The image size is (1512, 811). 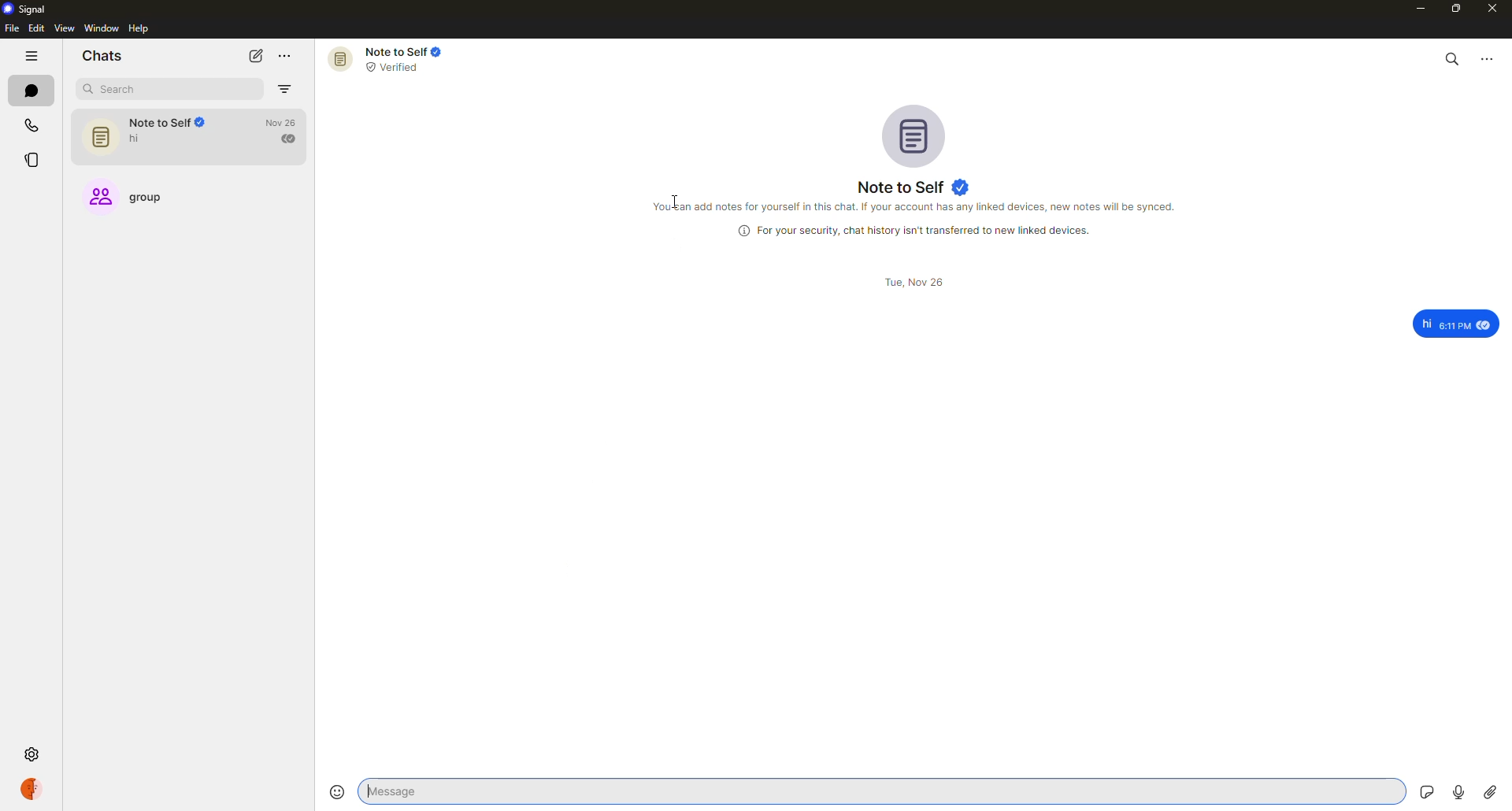 What do you see at coordinates (31, 752) in the screenshot?
I see `settings` at bounding box center [31, 752].